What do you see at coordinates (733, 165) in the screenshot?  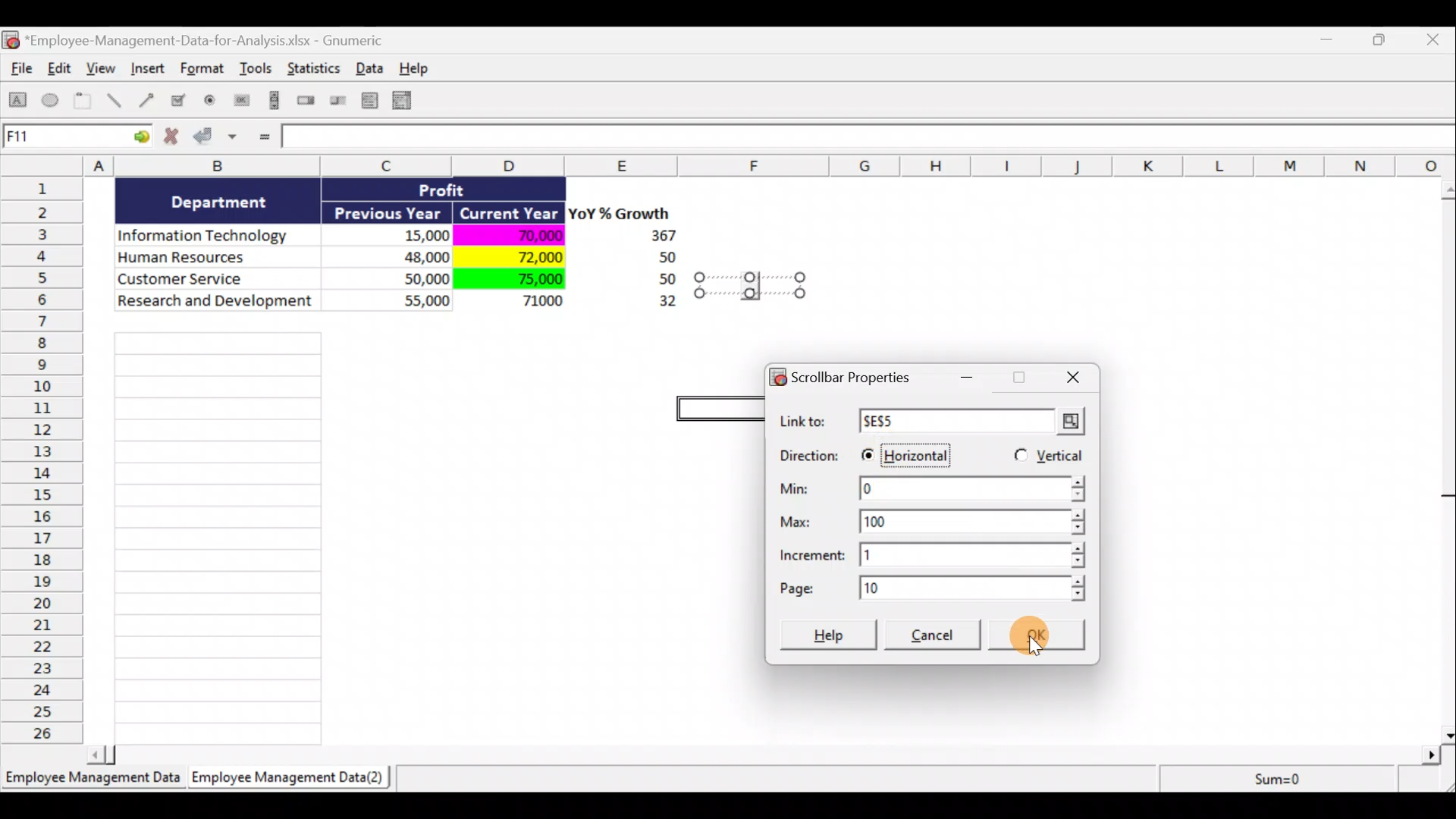 I see `Columns` at bounding box center [733, 165].